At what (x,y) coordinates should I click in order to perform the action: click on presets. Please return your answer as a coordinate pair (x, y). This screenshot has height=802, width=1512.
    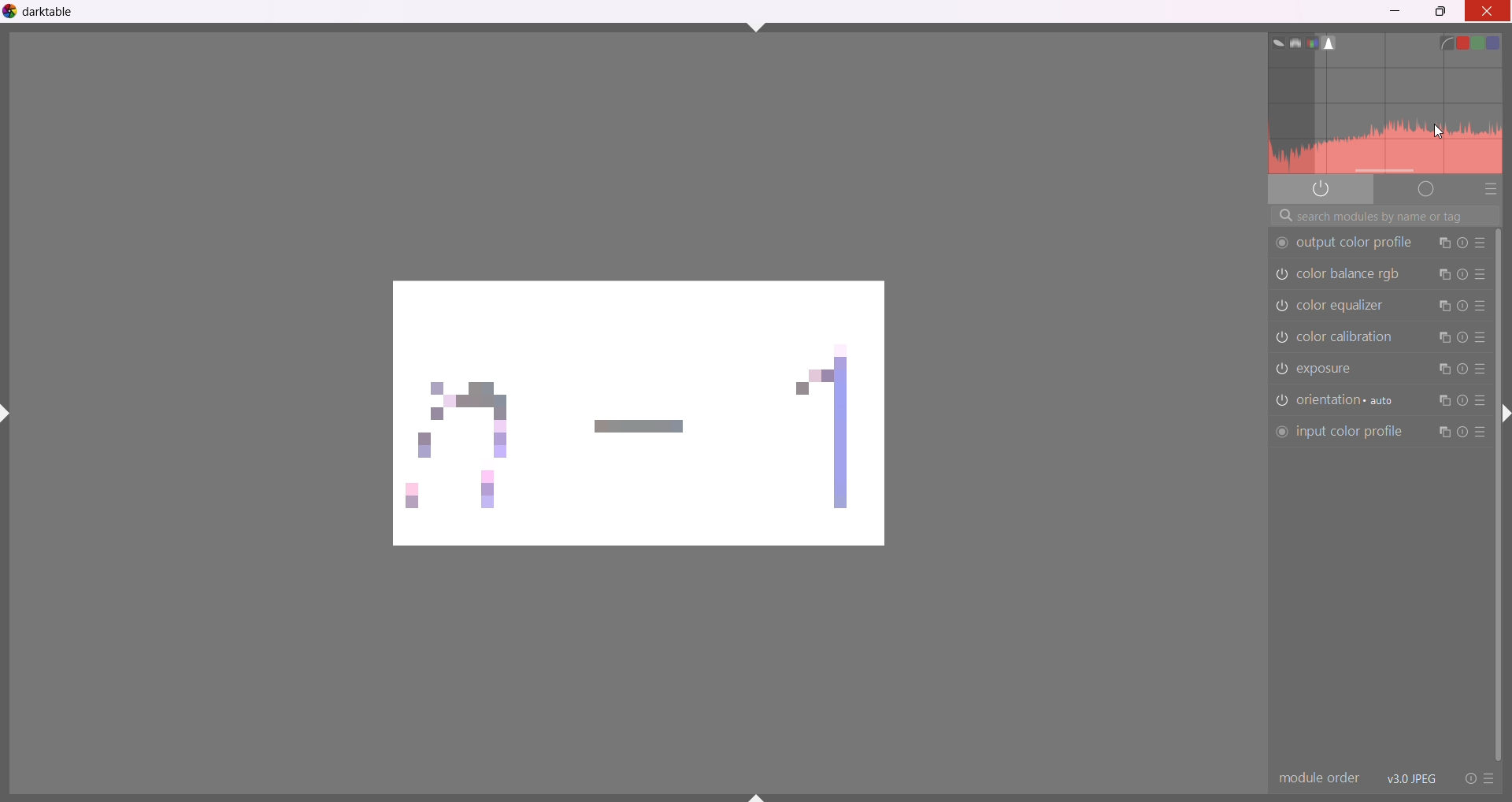
    Looking at the image, I should click on (1480, 401).